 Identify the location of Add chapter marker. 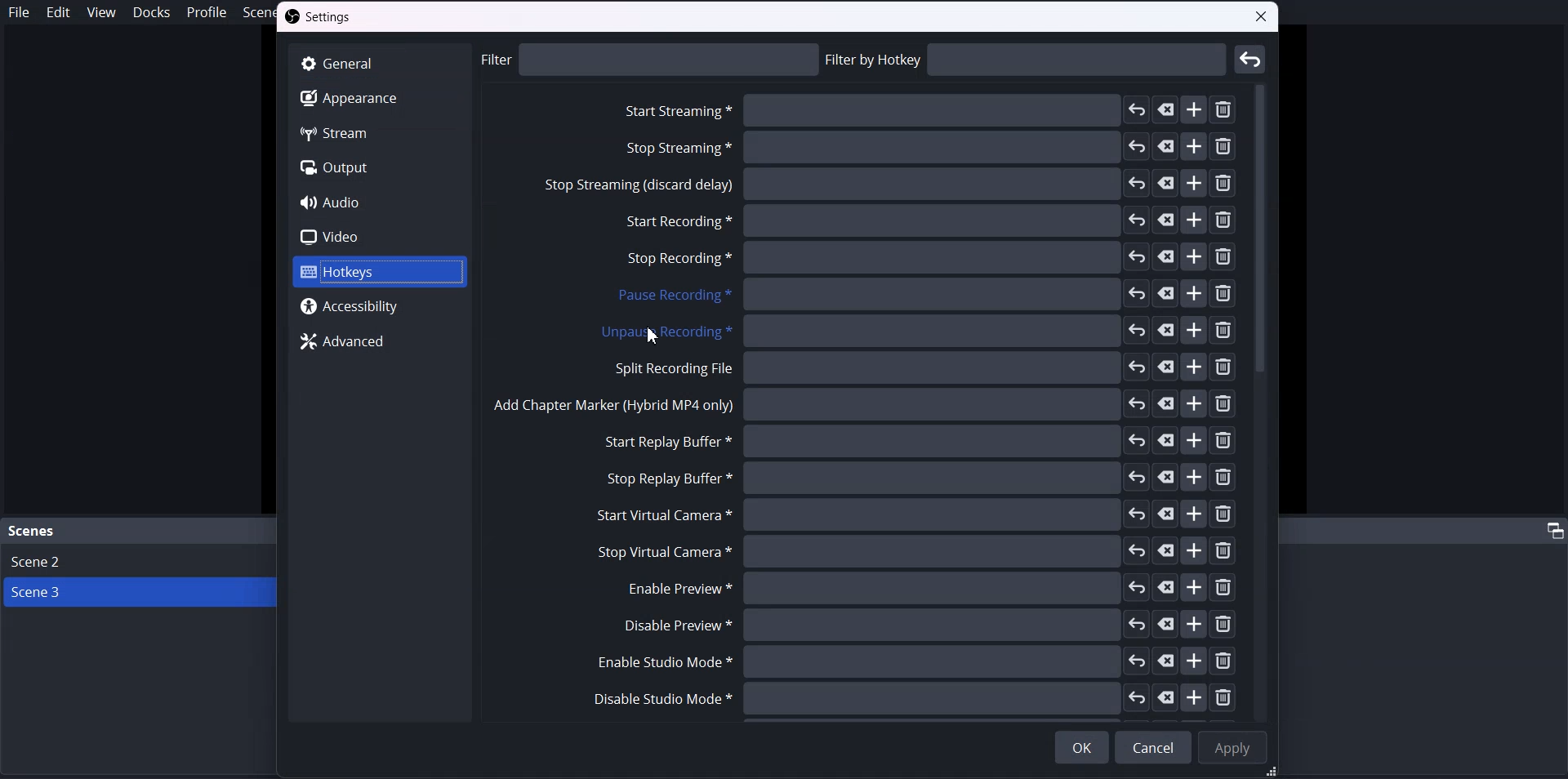
(861, 404).